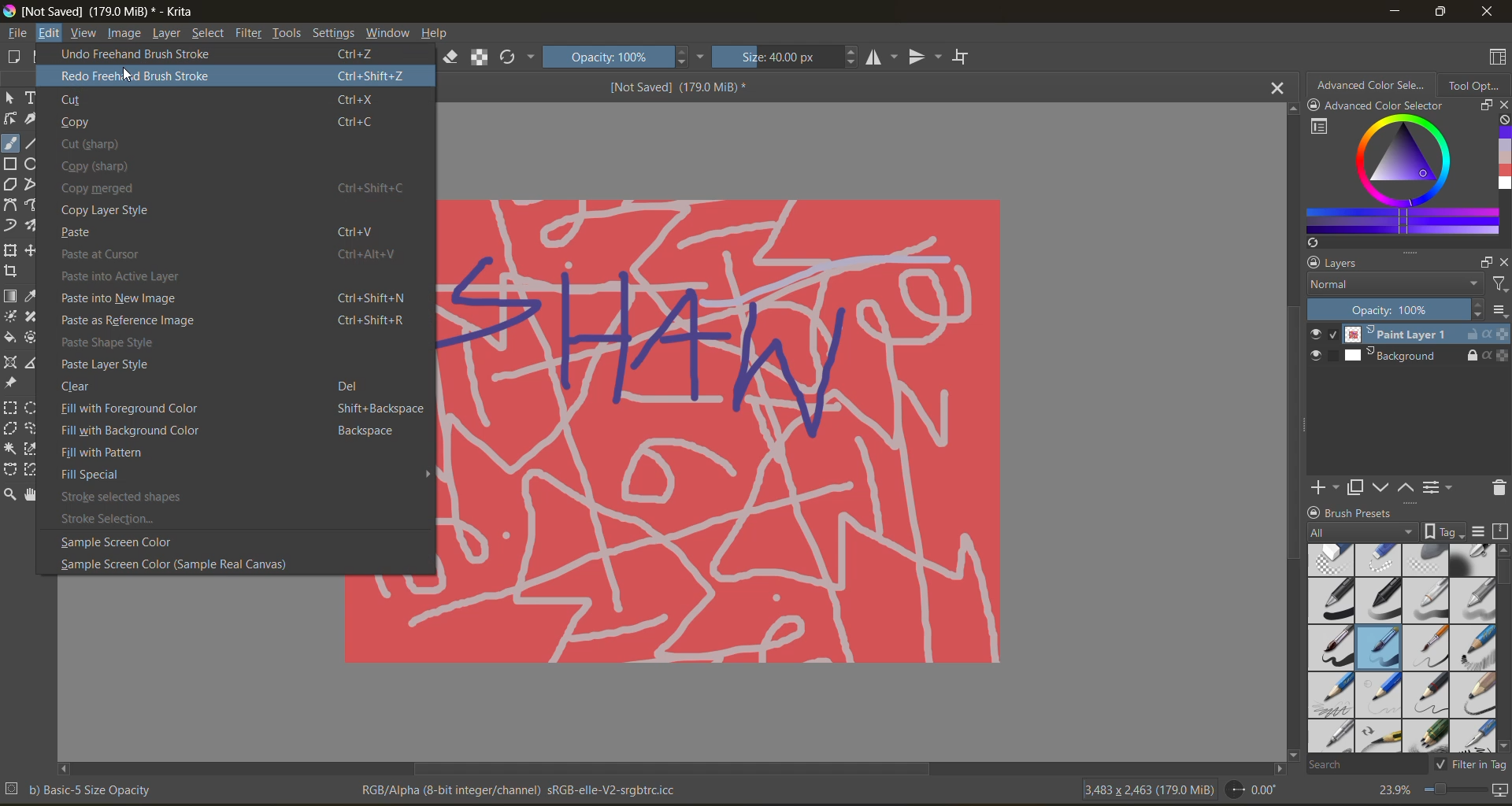 This screenshot has height=806, width=1512. I want to click on window, so click(388, 33).